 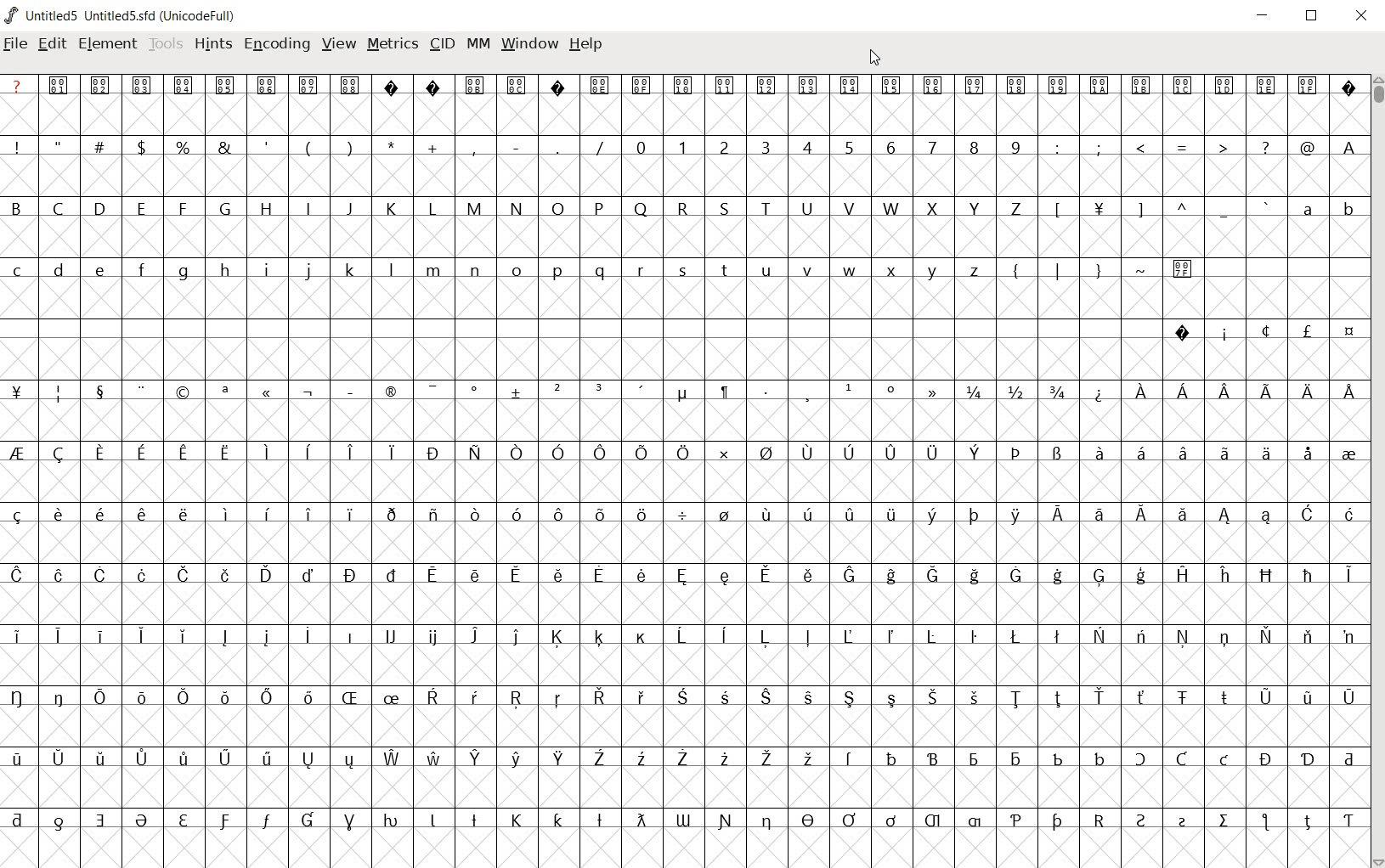 I want to click on Symbol, so click(x=21, y=454).